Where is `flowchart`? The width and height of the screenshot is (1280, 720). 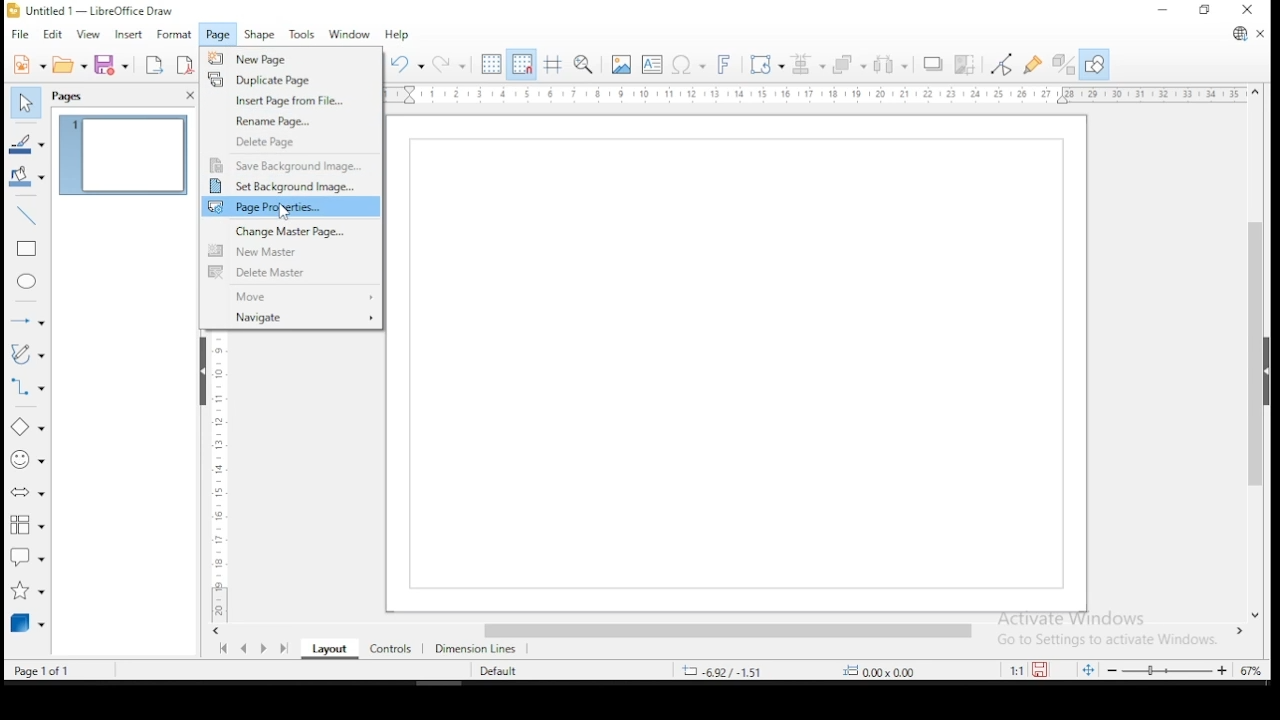 flowchart is located at coordinates (27, 527).